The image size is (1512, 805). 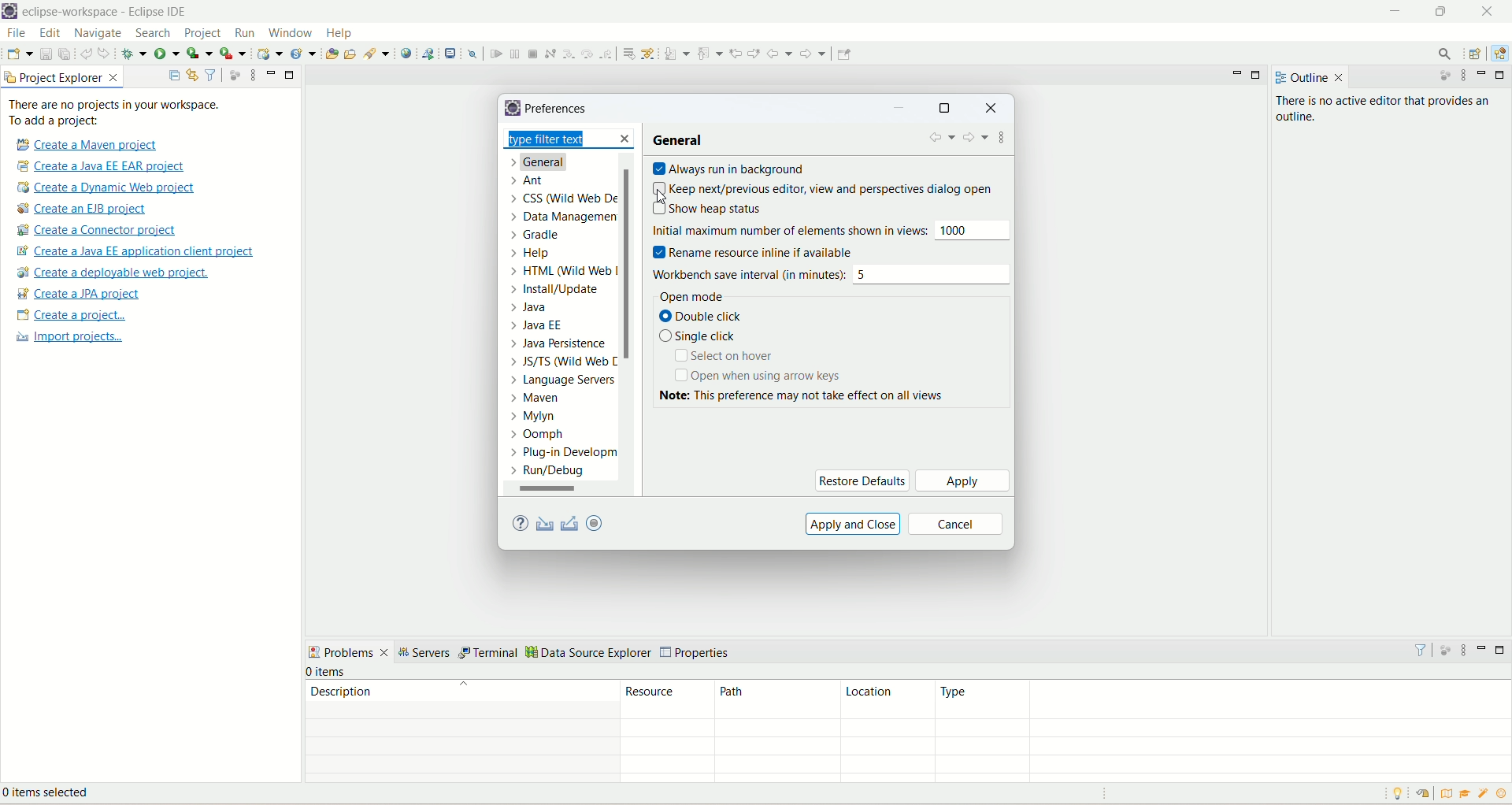 I want to click on back, so click(x=780, y=54).